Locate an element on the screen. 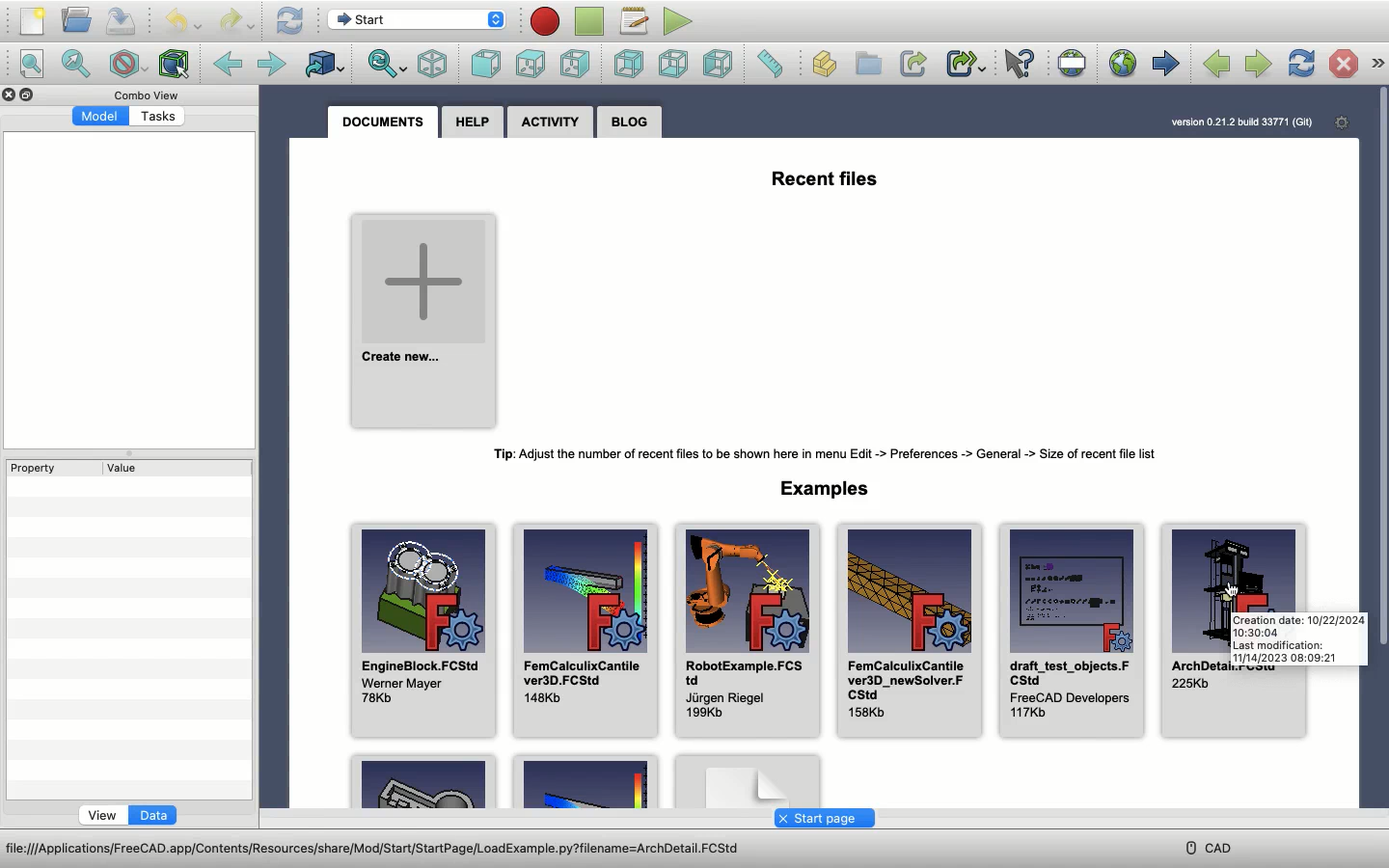 The image size is (1389, 868). Top is located at coordinates (531, 63).